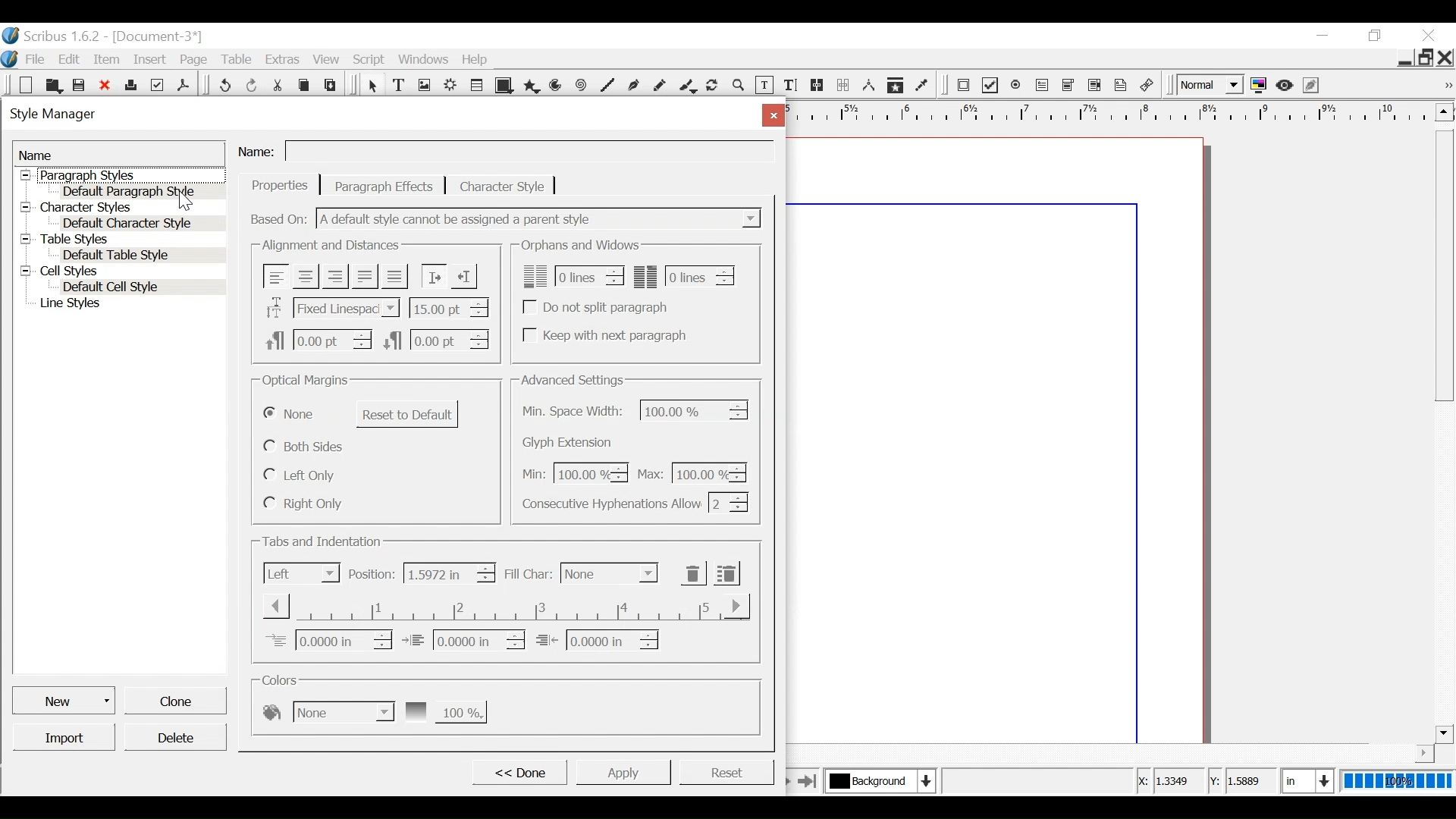 The image size is (1456, 819). Describe the element at coordinates (739, 87) in the screenshot. I see `Zoom` at that location.